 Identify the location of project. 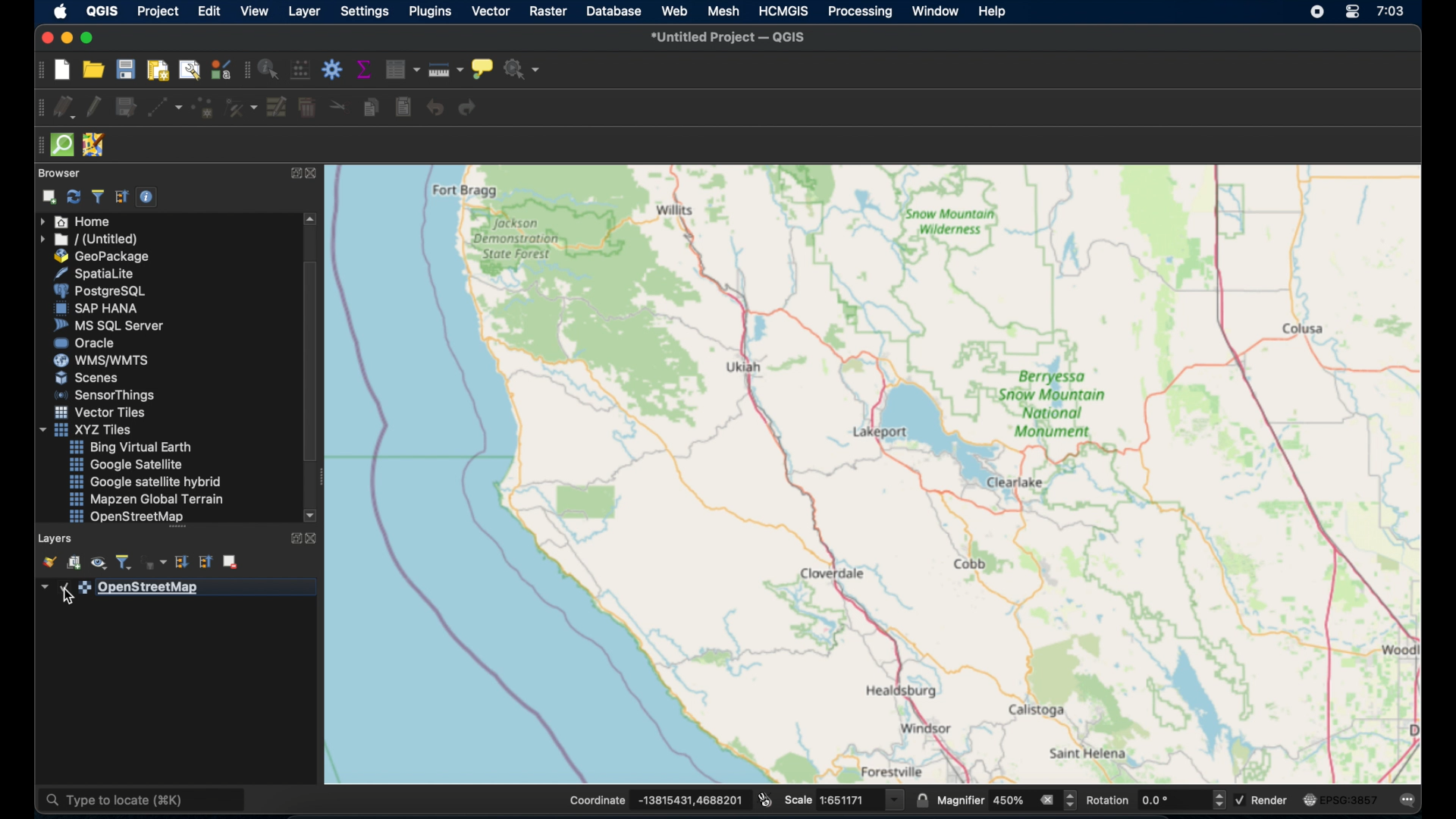
(159, 12).